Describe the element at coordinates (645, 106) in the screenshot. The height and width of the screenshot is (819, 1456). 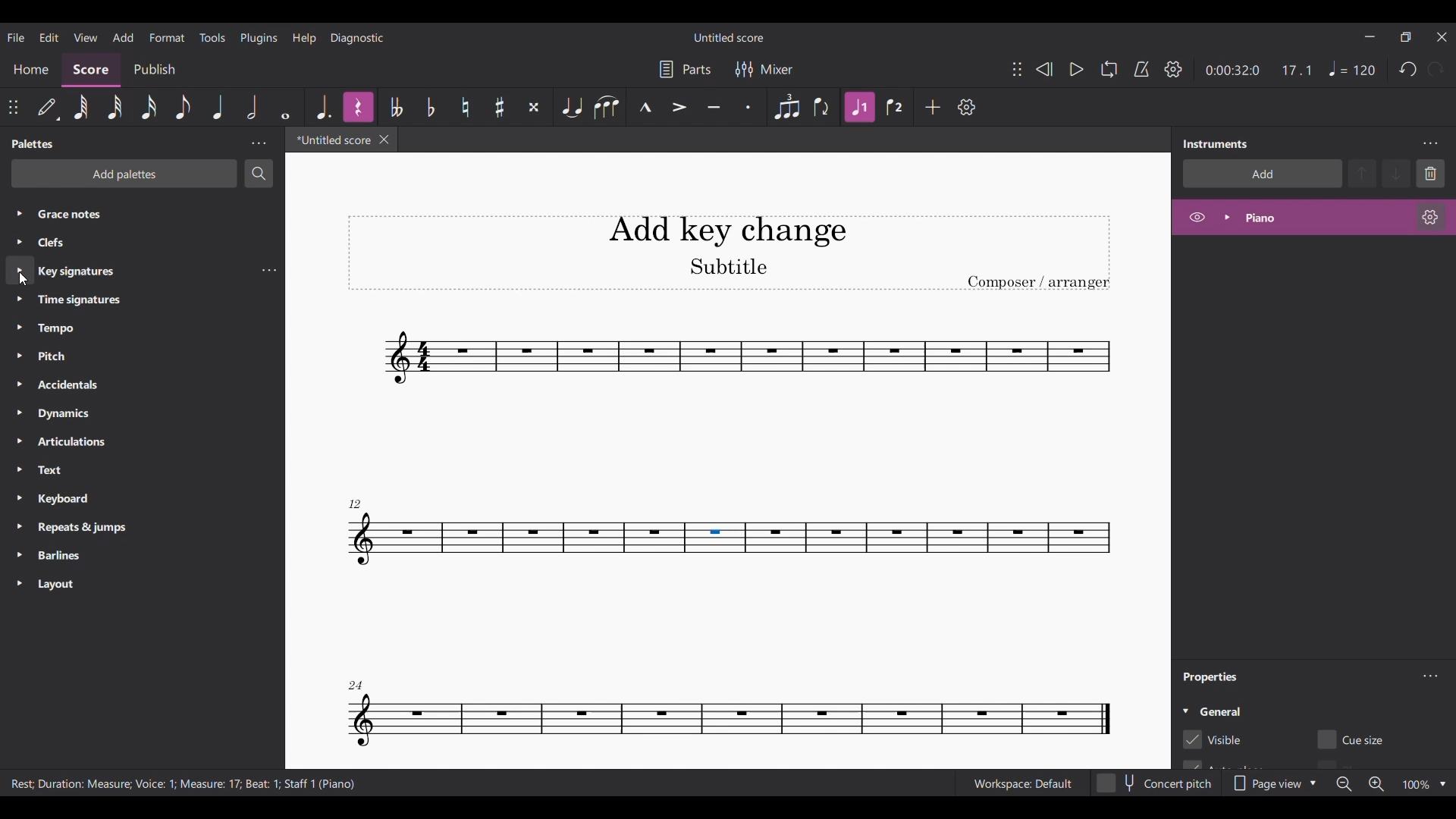
I see `Marcato` at that location.